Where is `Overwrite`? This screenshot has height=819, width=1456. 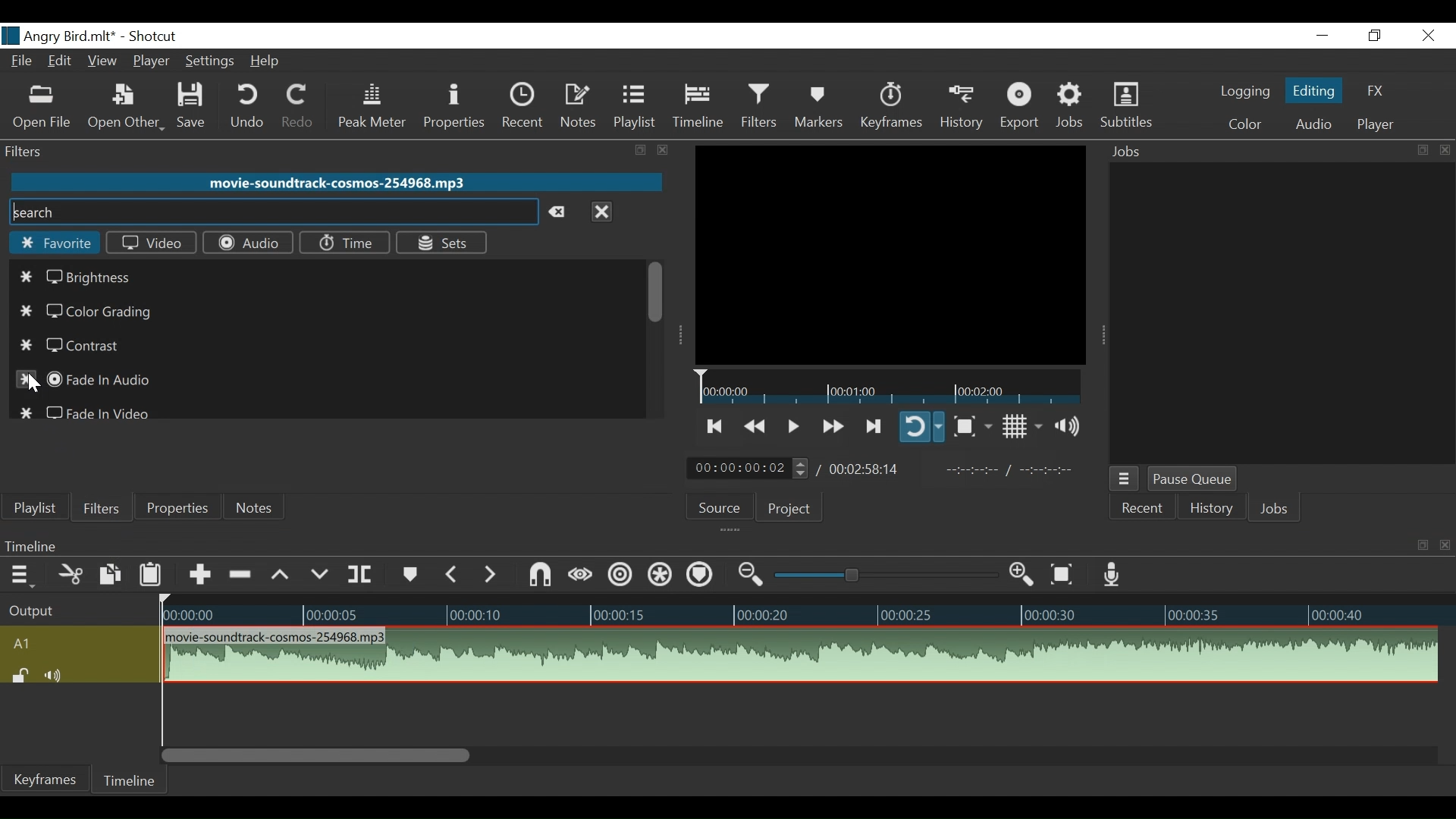 Overwrite is located at coordinates (321, 573).